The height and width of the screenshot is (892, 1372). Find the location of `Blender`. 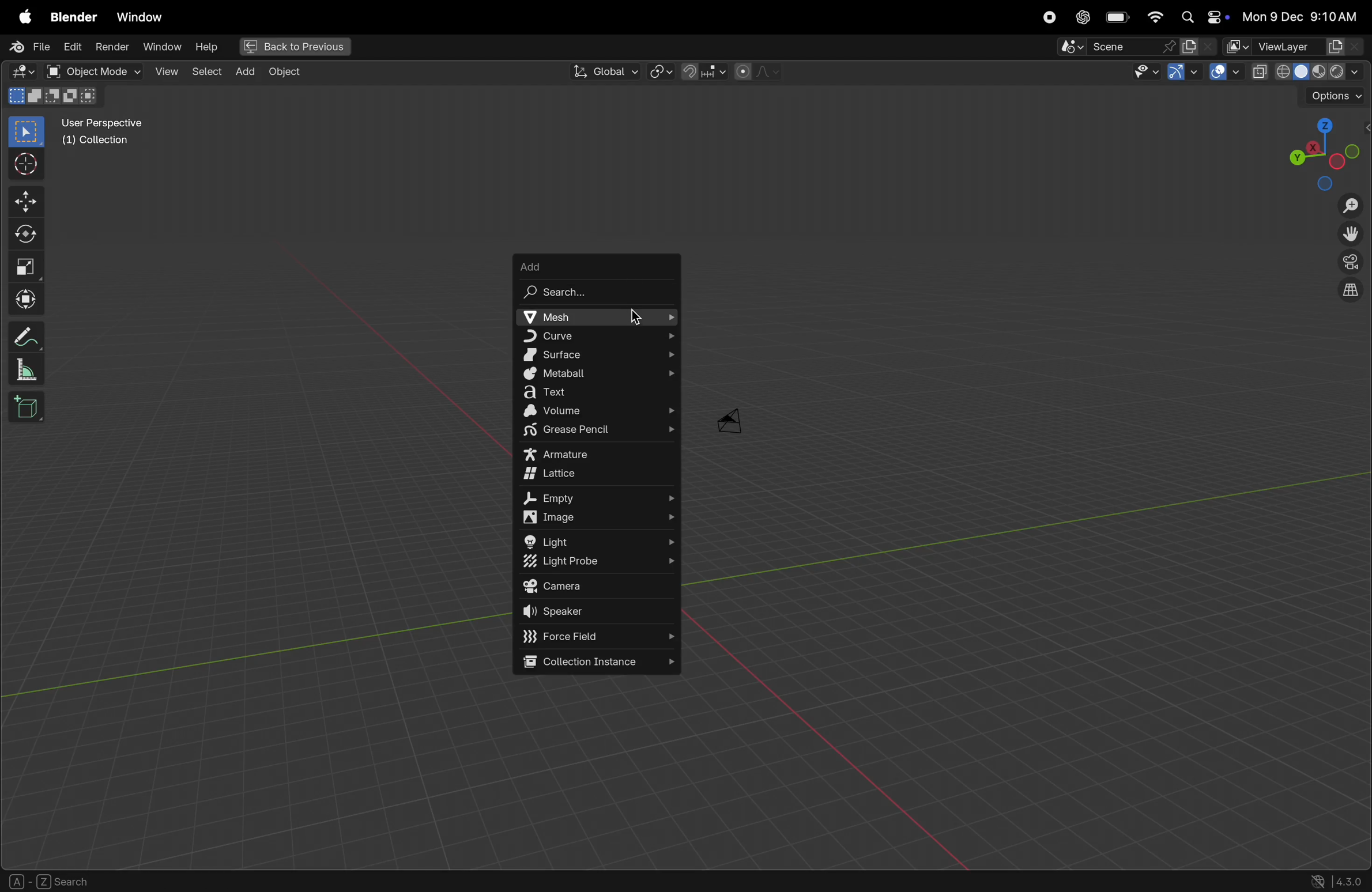

Blender is located at coordinates (70, 16).